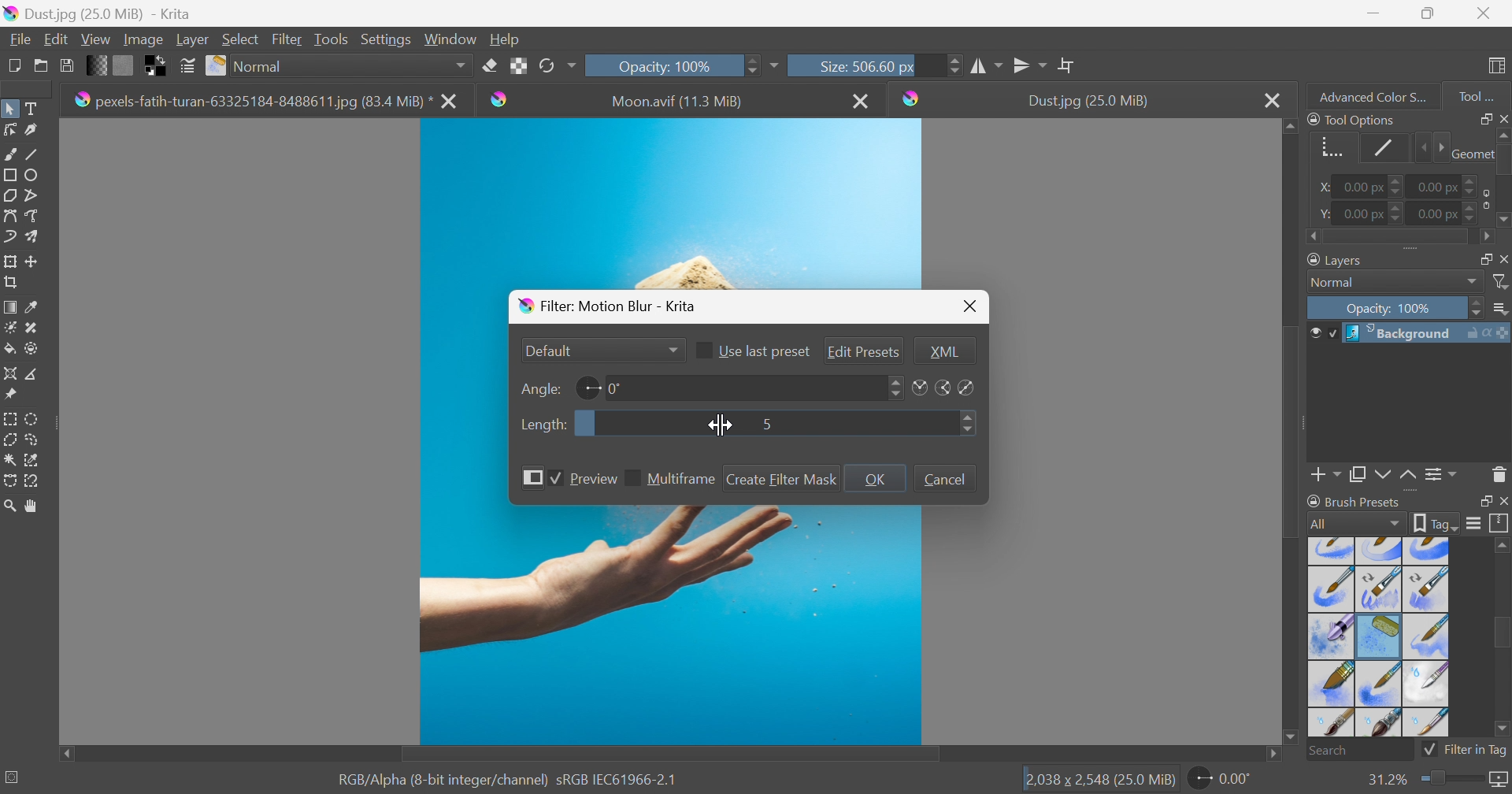 Image resolution: width=1512 pixels, height=794 pixels. I want to click on More, so click(528, 477).